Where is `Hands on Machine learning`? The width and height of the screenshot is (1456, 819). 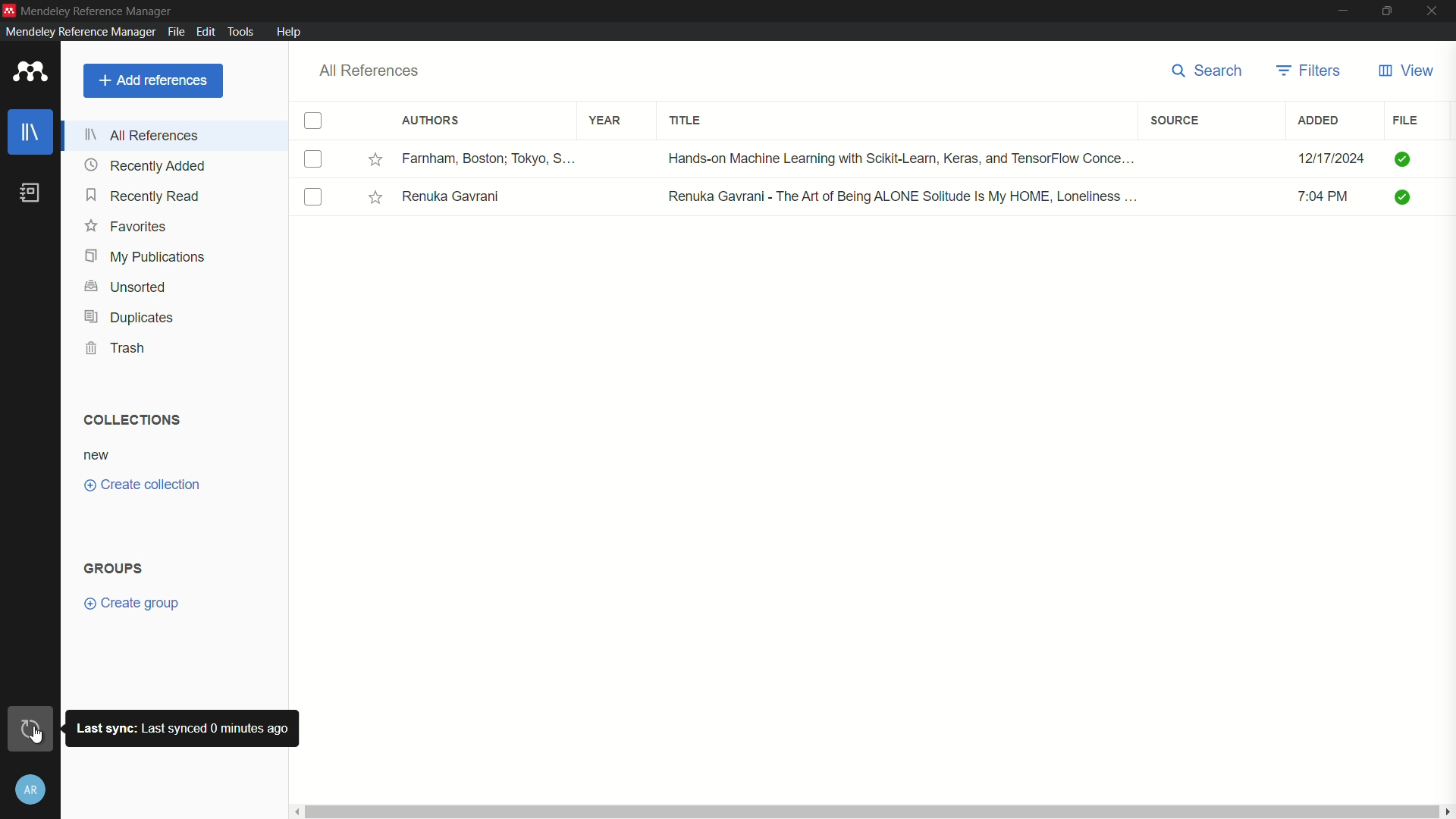
Hands on Machine learning is located at coordinates (893, 158).